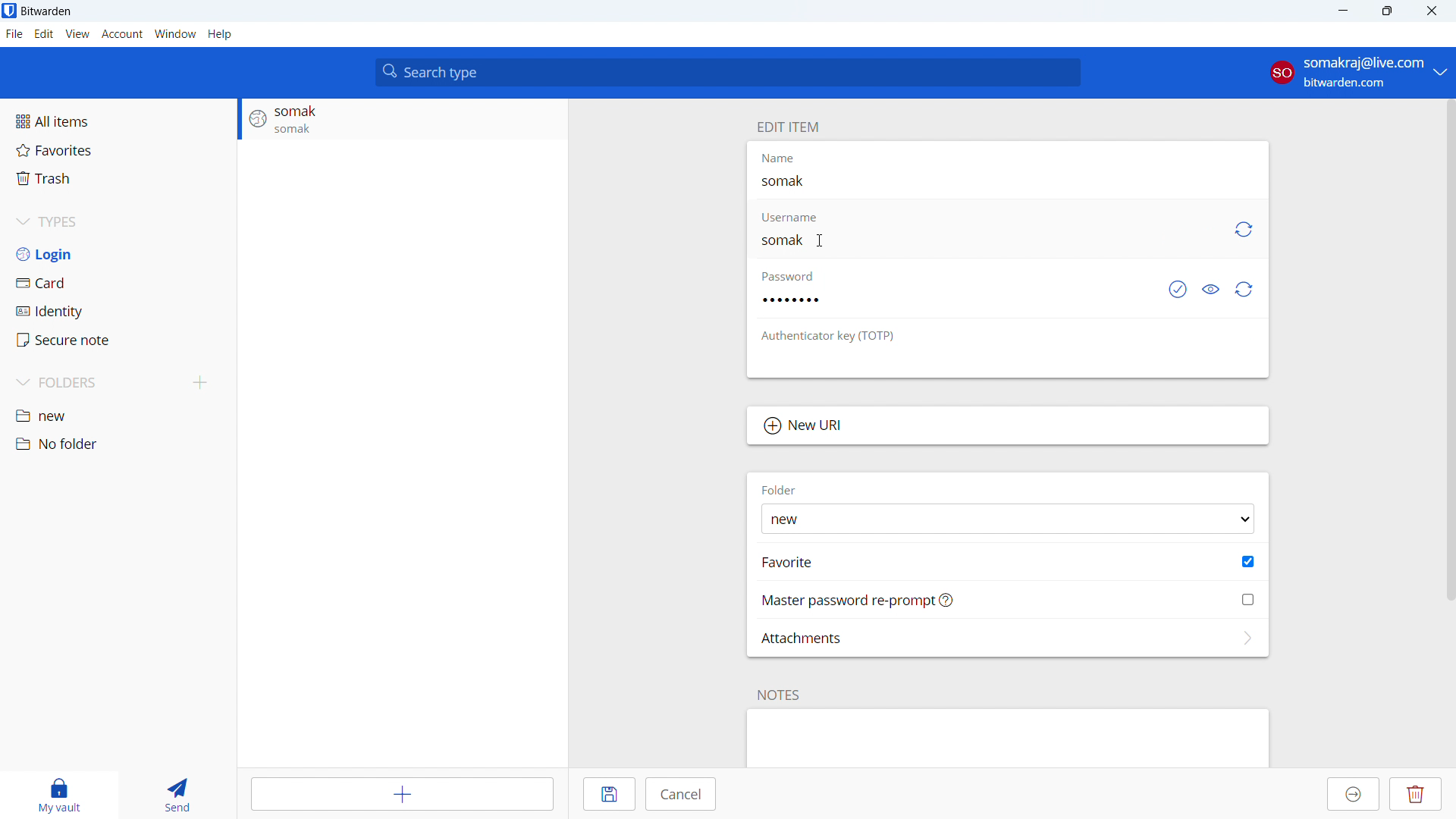  Describe the element at coordinates (942, 300) in the screenshot. I see `edit password` at that location.